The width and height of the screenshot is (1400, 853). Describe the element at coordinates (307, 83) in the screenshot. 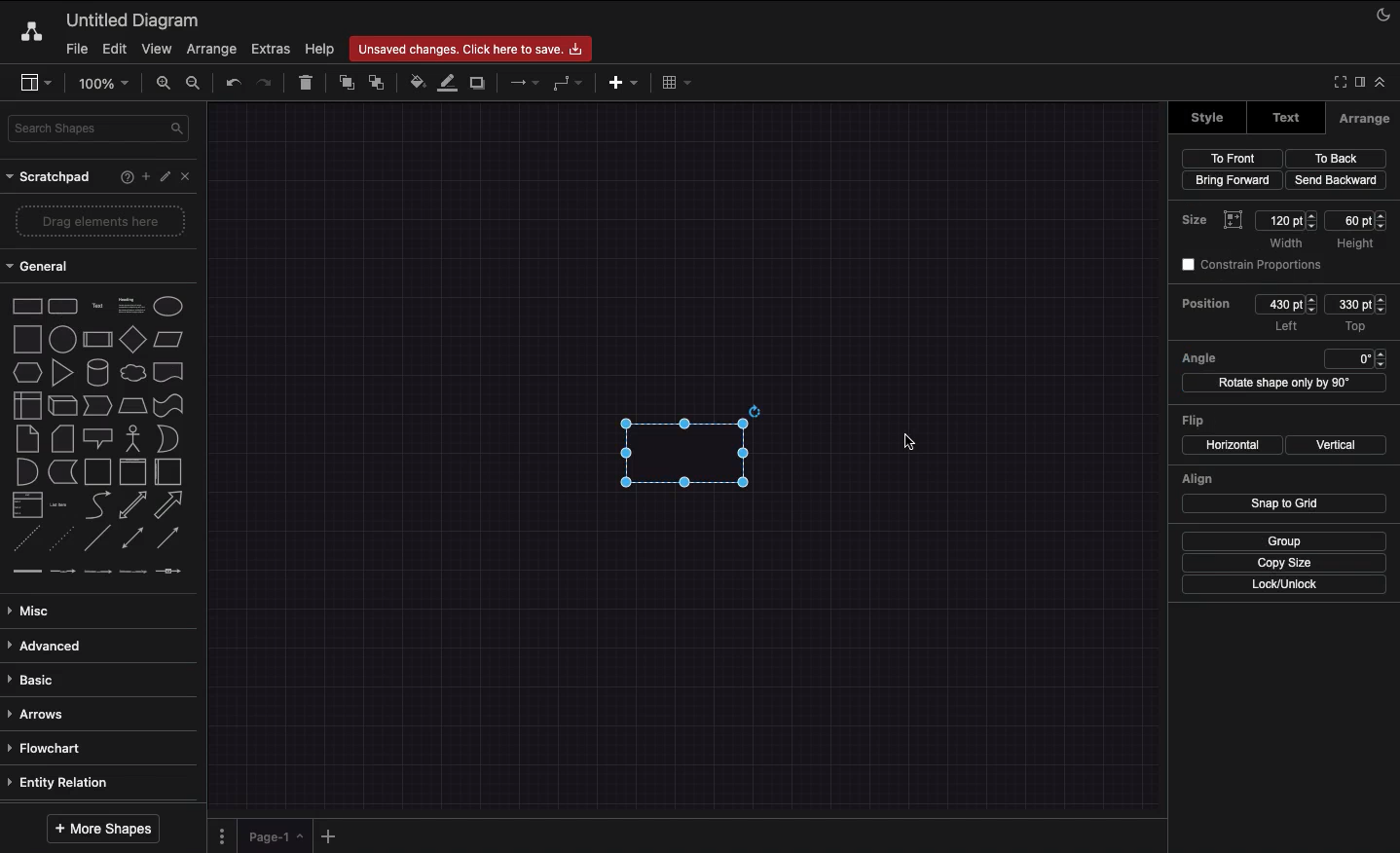

I see `Trash` at that location.